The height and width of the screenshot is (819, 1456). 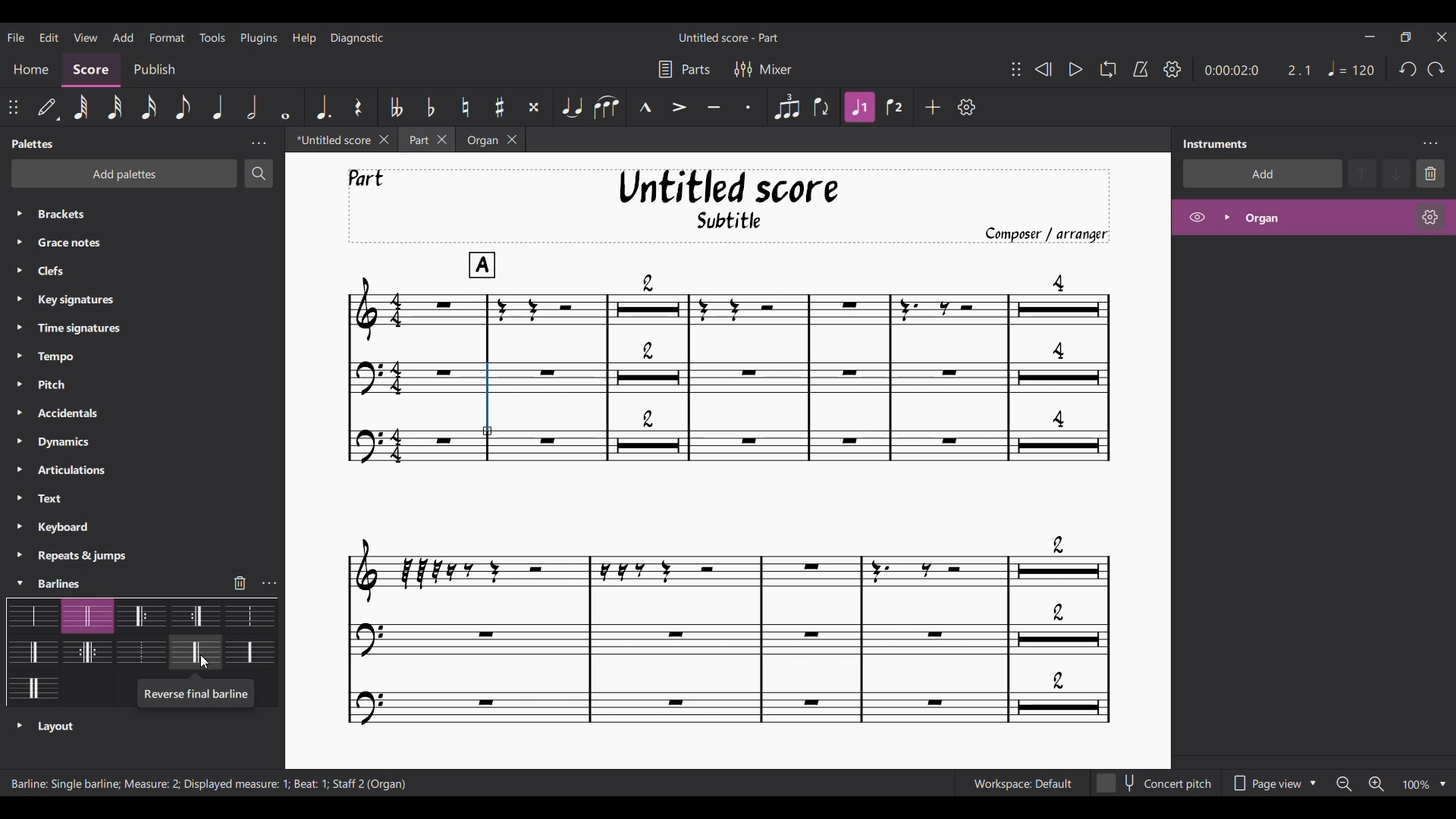 What do you see at coordinates (12, 107) in the screenshot?
I see `Click to change position of toolbar attached` at bounding box center [12, 107].